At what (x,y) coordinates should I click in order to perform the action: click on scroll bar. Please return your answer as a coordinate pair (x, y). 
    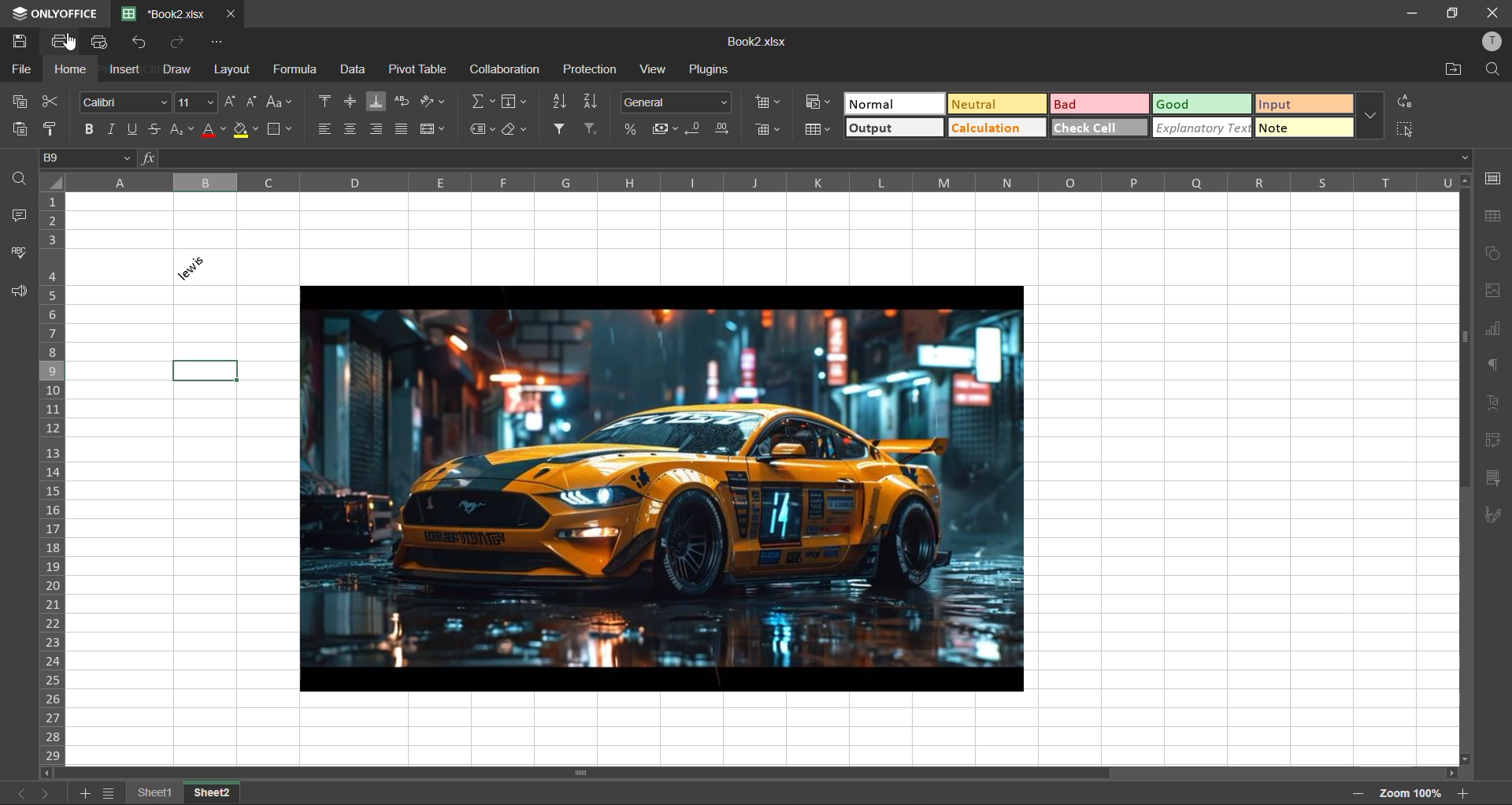
    Looking at the image, I should click on (1466, 337).